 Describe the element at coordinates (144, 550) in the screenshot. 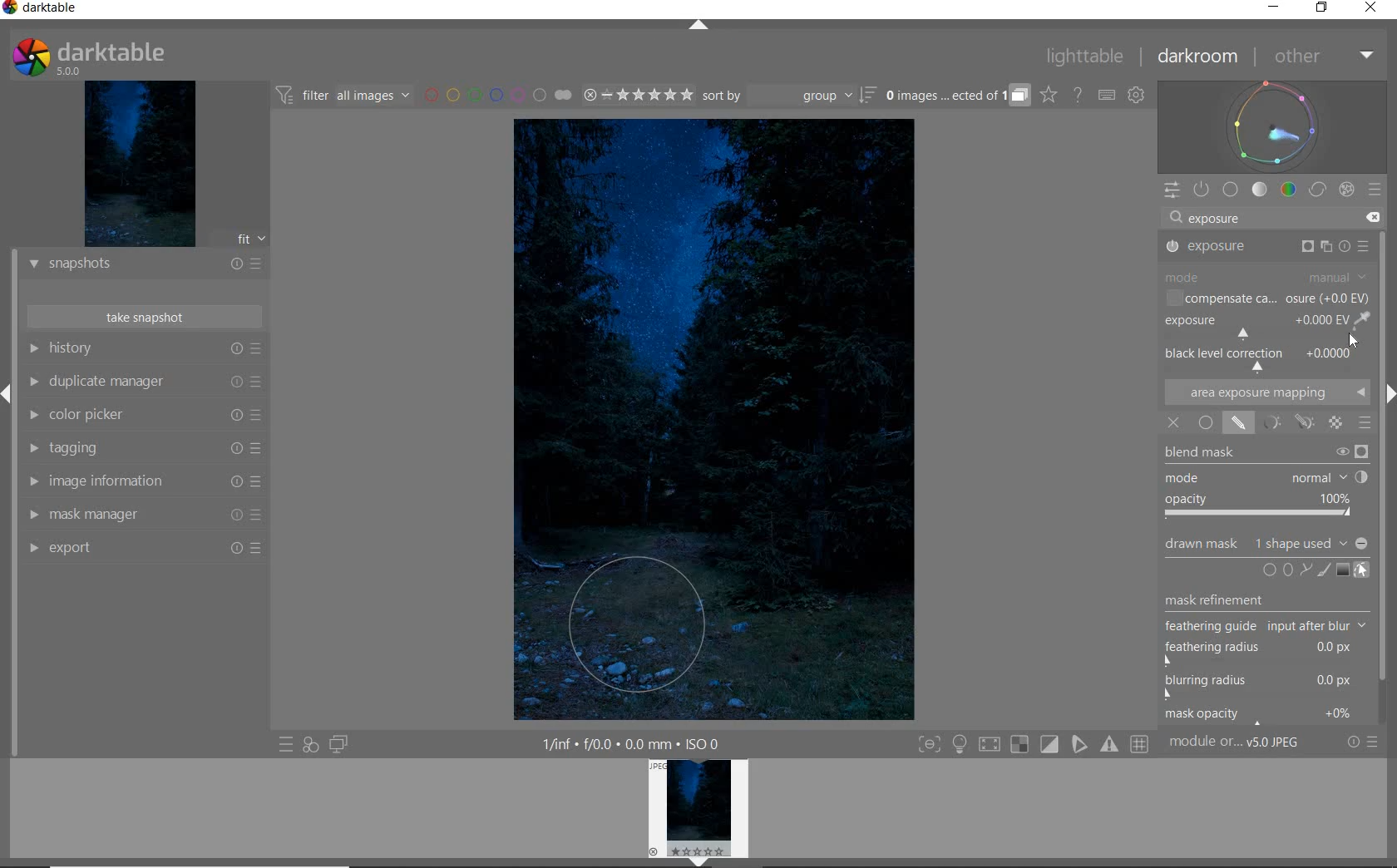

I see `EXPORT` at that location.